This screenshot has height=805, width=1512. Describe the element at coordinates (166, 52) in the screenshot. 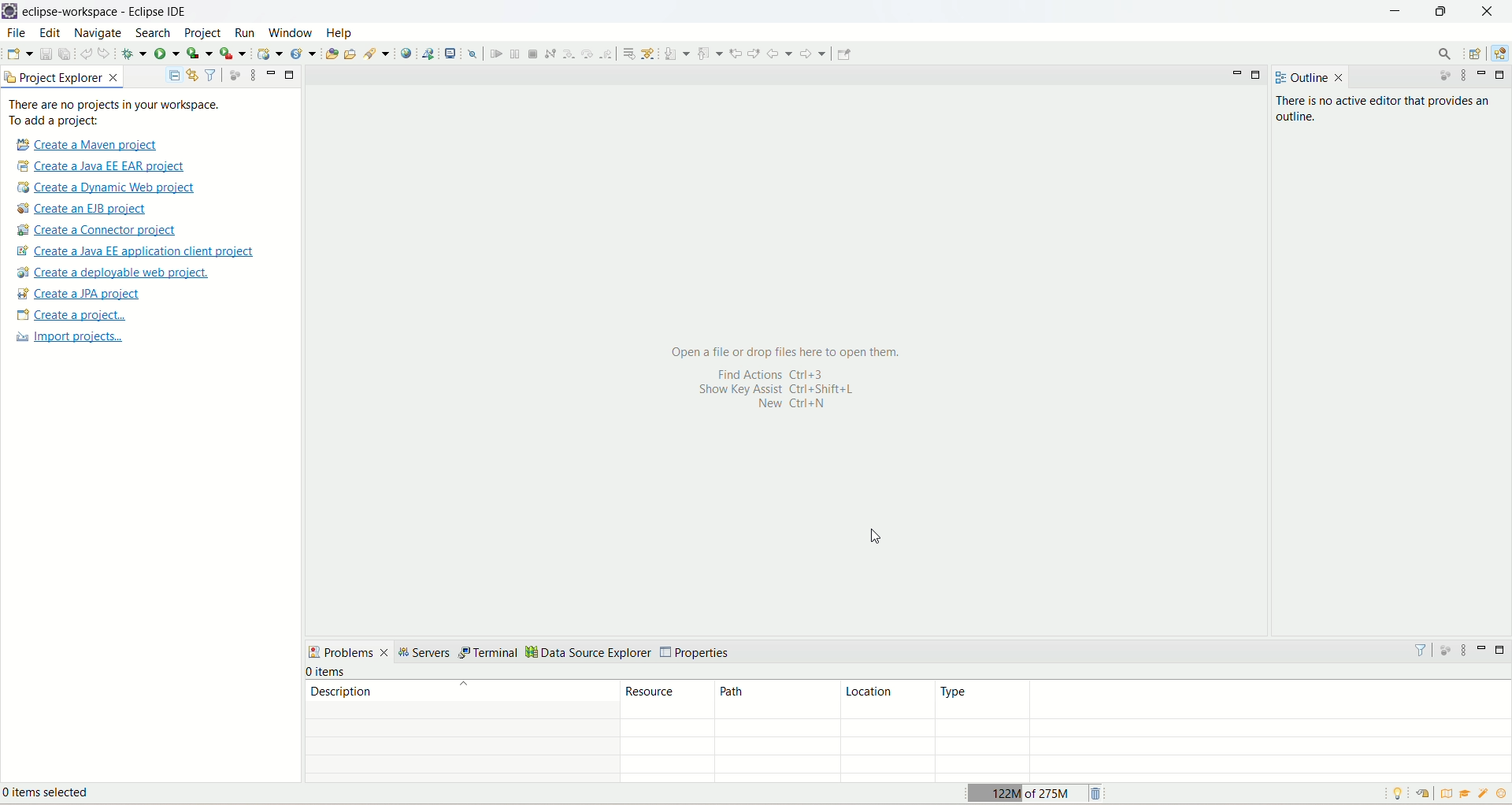

I see `run` at that location.